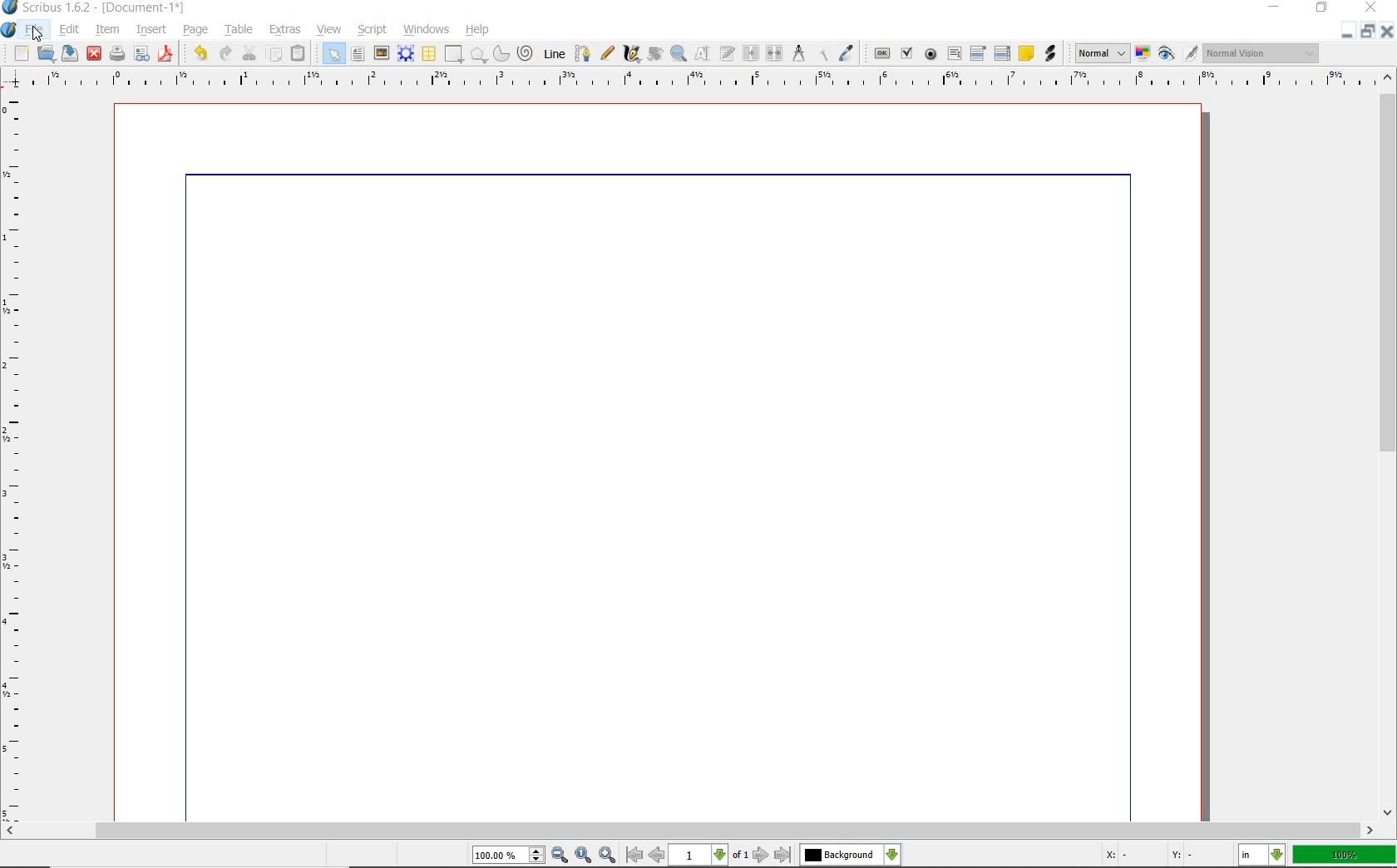 The width and height of the screenshot is (1397, 868). I want to click on edit contents of frame, so click(704, 55).